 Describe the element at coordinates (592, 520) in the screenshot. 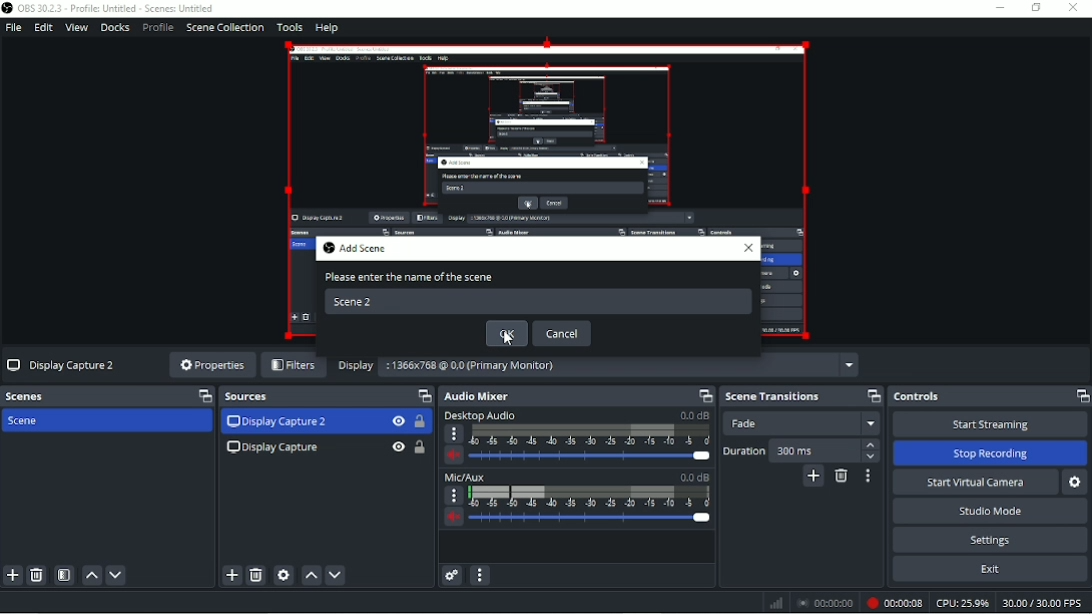

I see `Slider` at that location.